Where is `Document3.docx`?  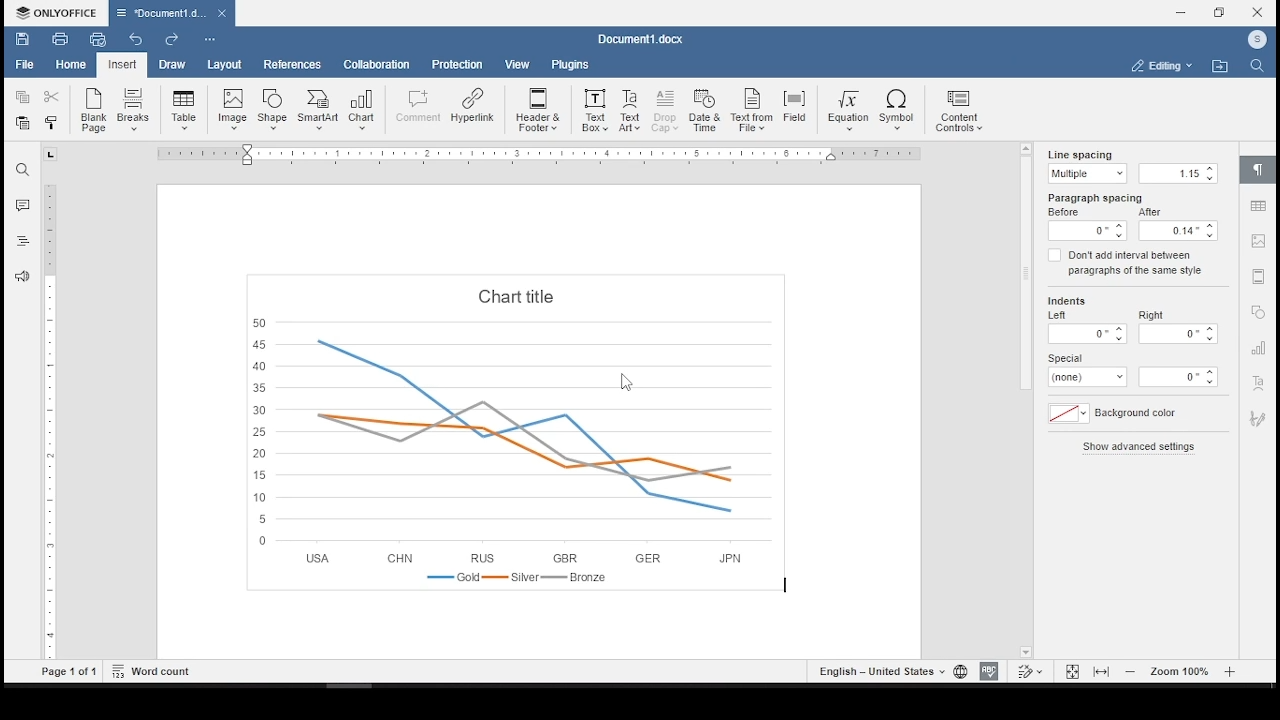
Document3.docx is located at coordinates (174, 12).